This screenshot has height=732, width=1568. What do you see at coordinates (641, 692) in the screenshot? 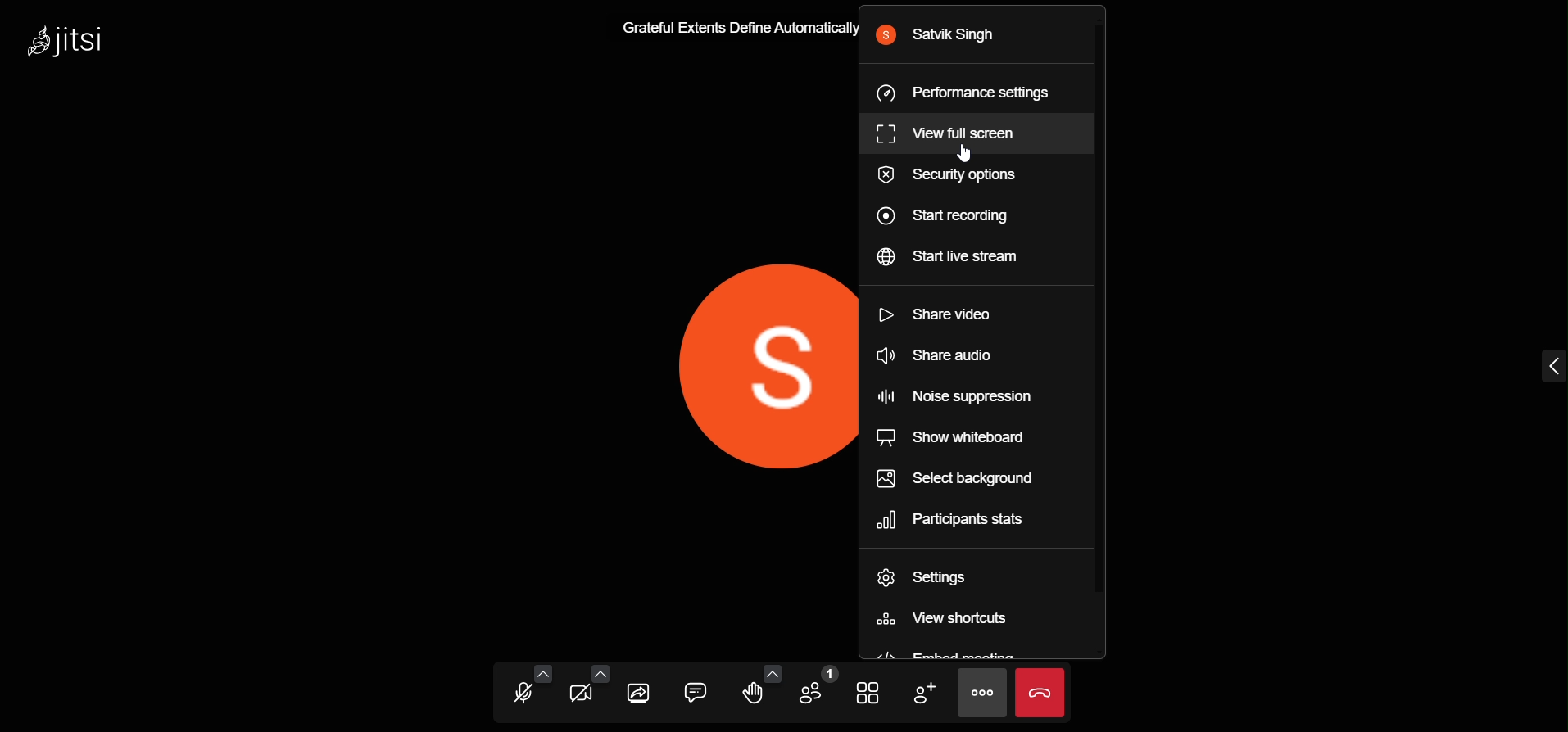
I see `screen share` at bounding box center [641, 692].